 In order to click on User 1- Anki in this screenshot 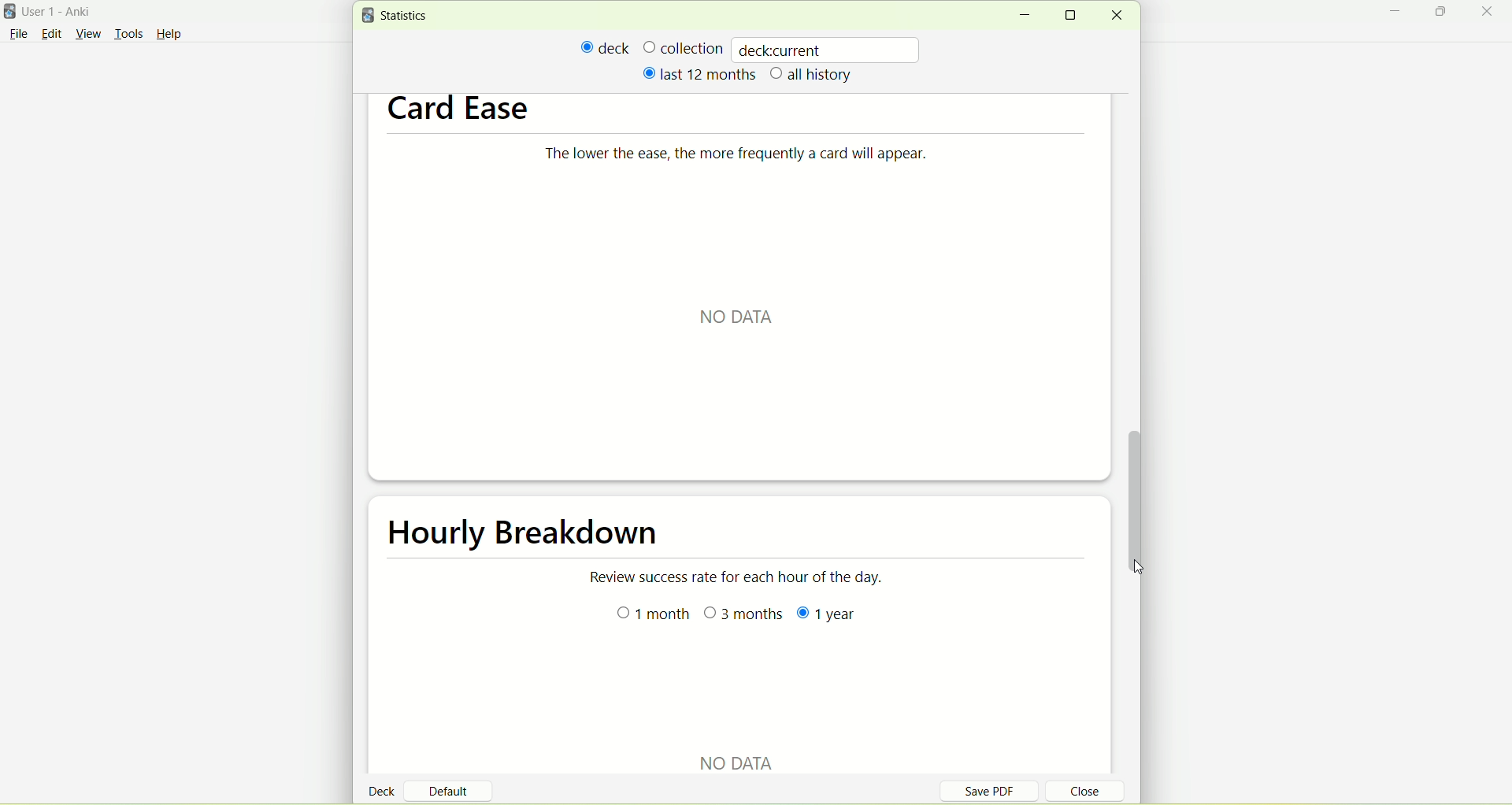, I will do `click(67, 14)`.